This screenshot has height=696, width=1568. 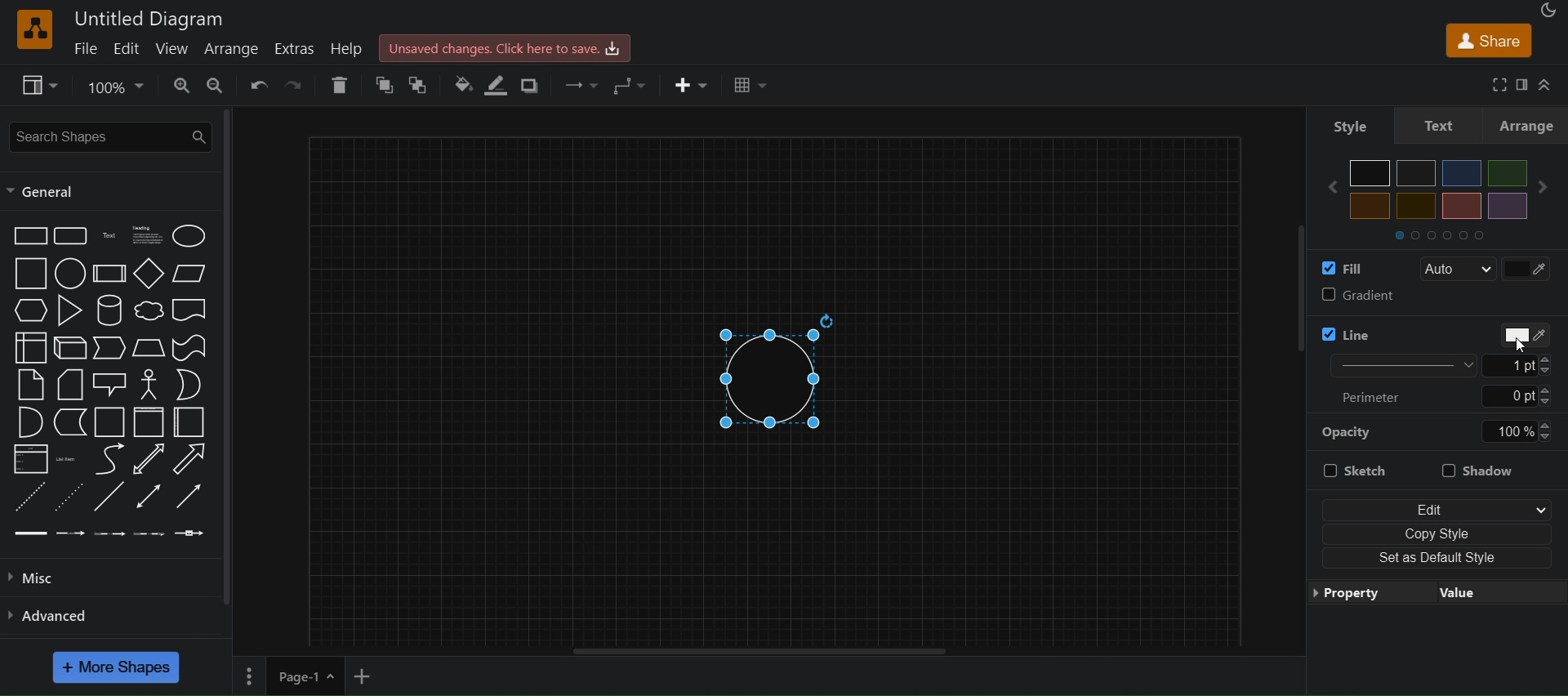 What do you see at coordinates (1530, 125) in the screenshot?
I see `arrange` at bounding box center [1530, 125].